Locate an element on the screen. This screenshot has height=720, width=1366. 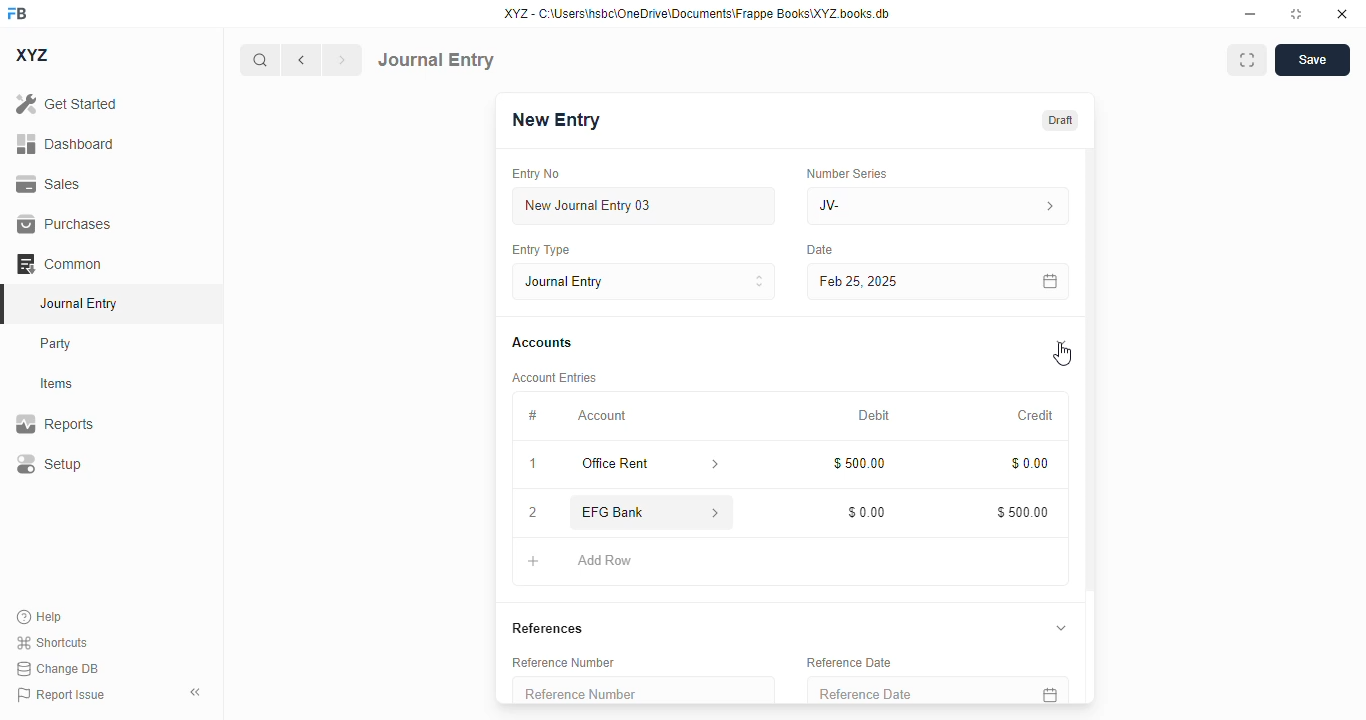
$500.00 is located at coordinates (1023, 512).